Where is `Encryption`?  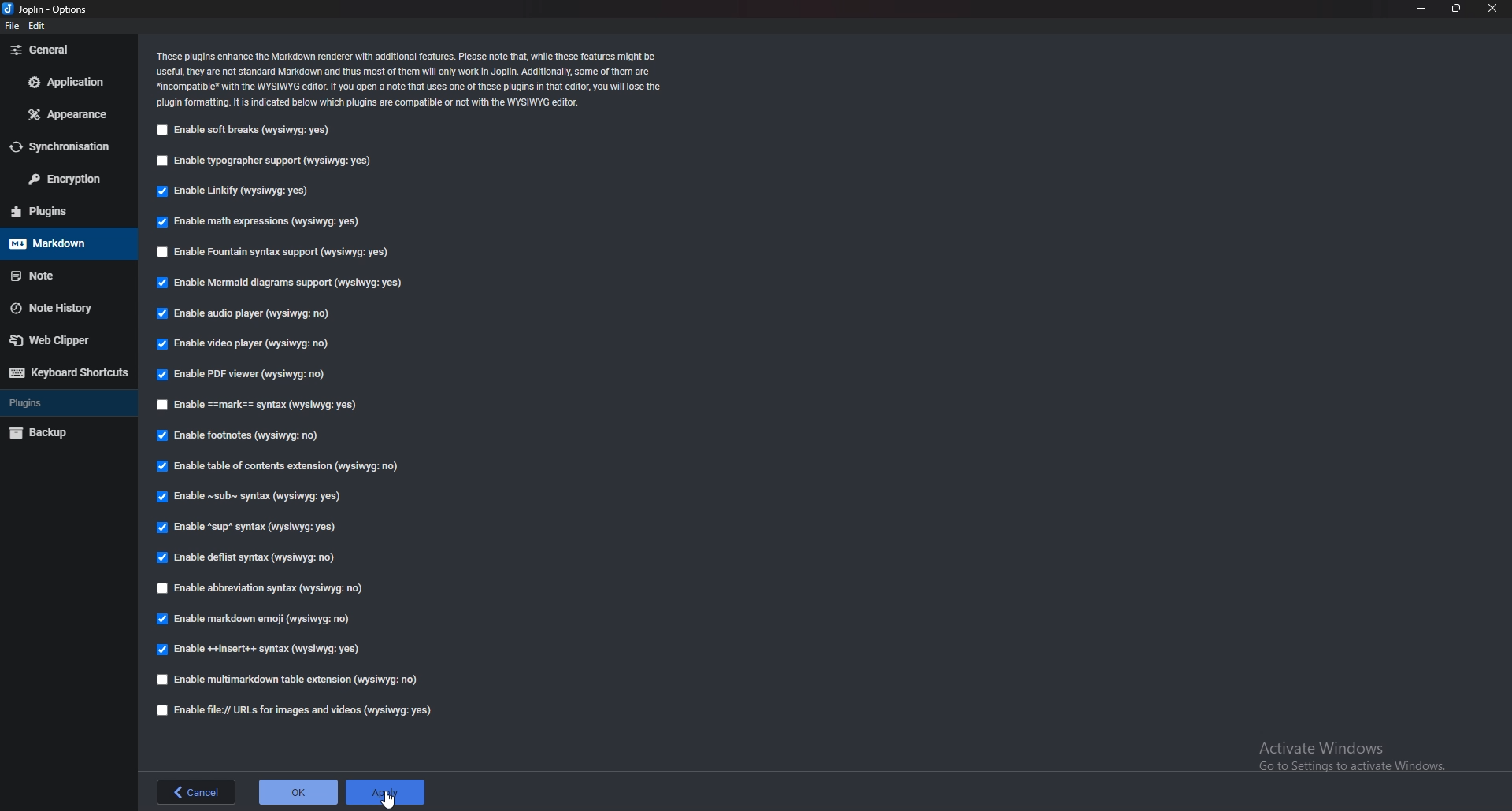
Encryption is located at coordinates (69, 180).